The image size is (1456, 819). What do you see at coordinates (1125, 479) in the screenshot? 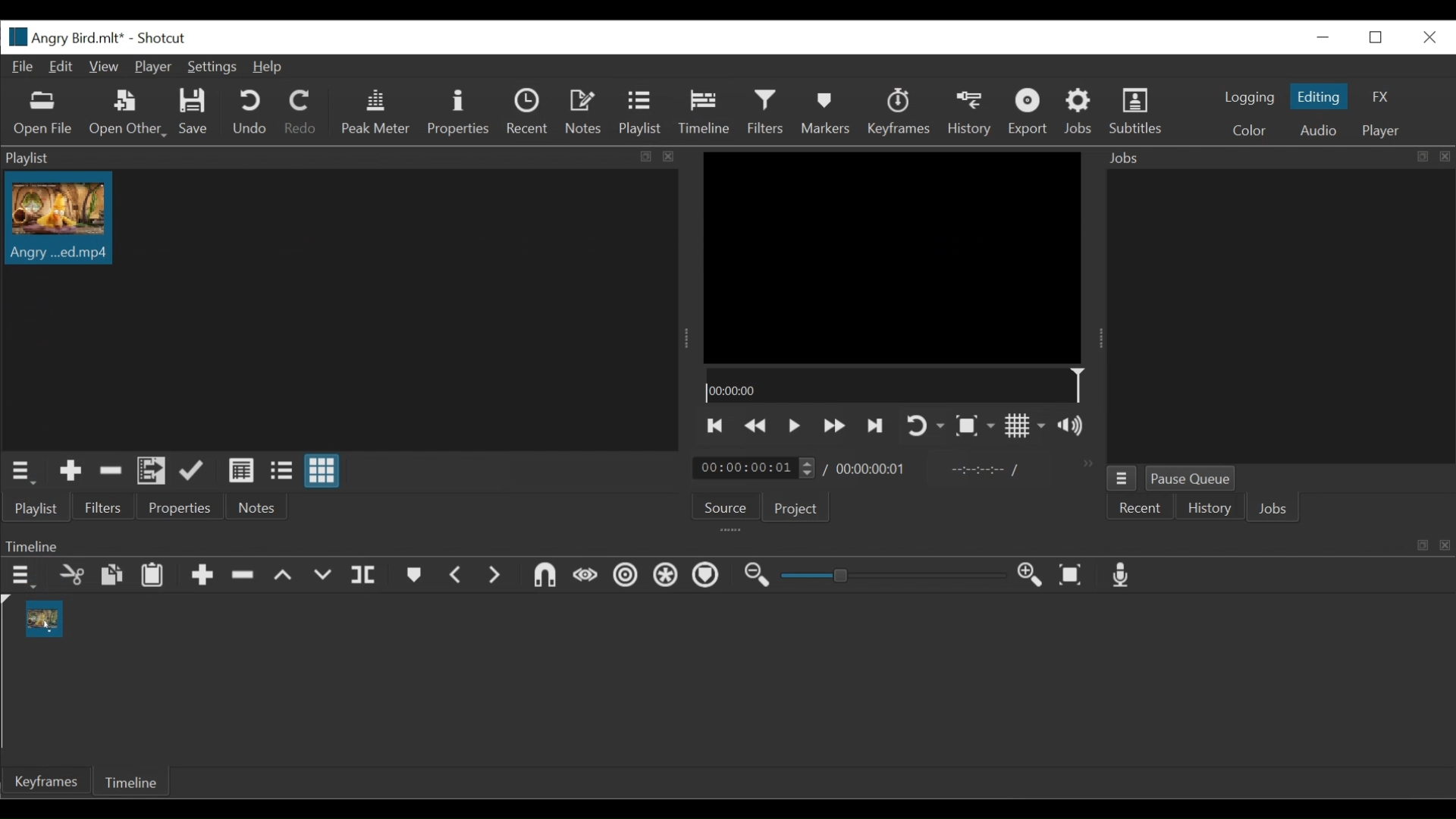
I see `Job menu` at bounding box center [1125, 479].